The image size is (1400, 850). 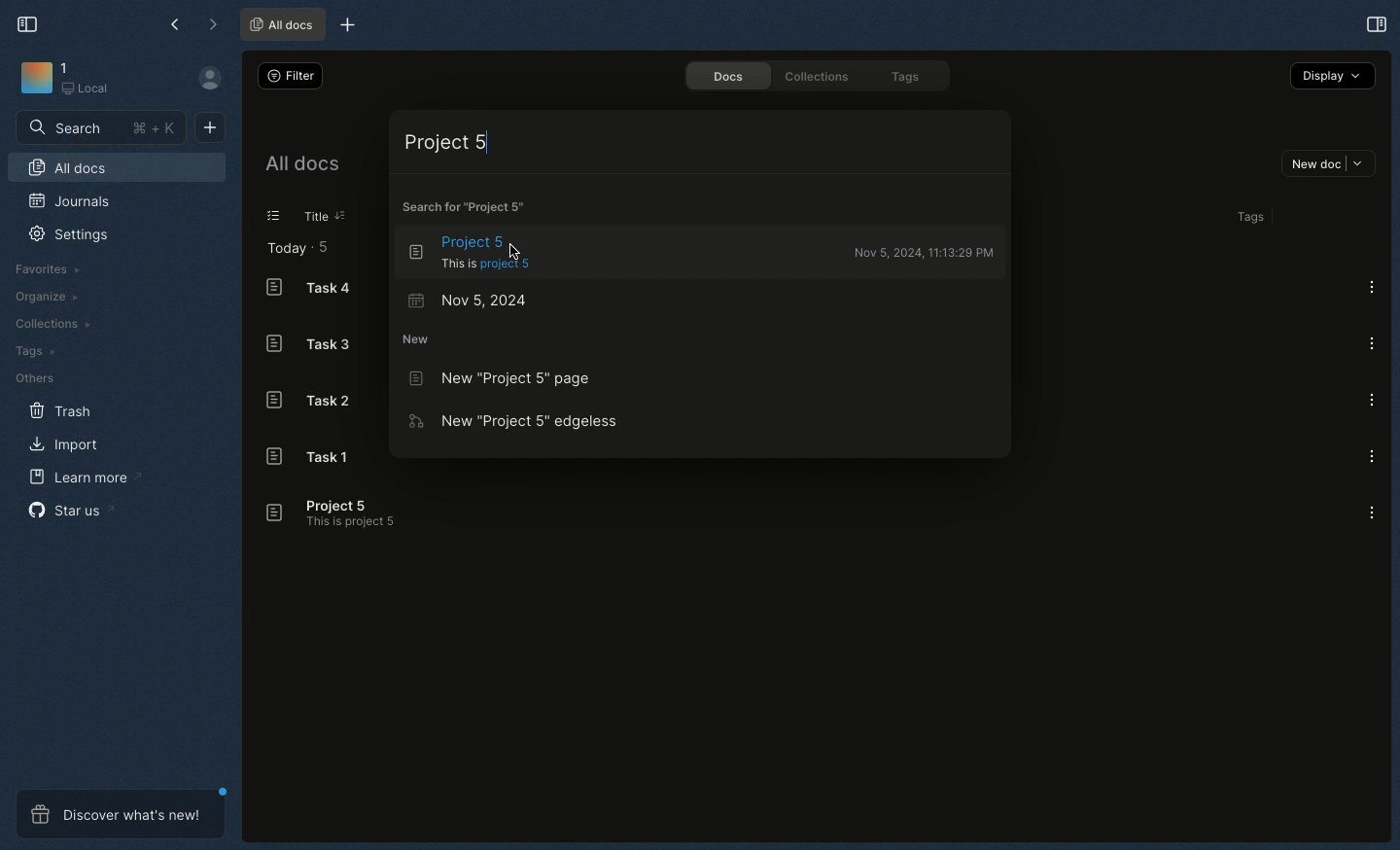 I want to click on Expand sidebar, so click(x=1377, y=21).